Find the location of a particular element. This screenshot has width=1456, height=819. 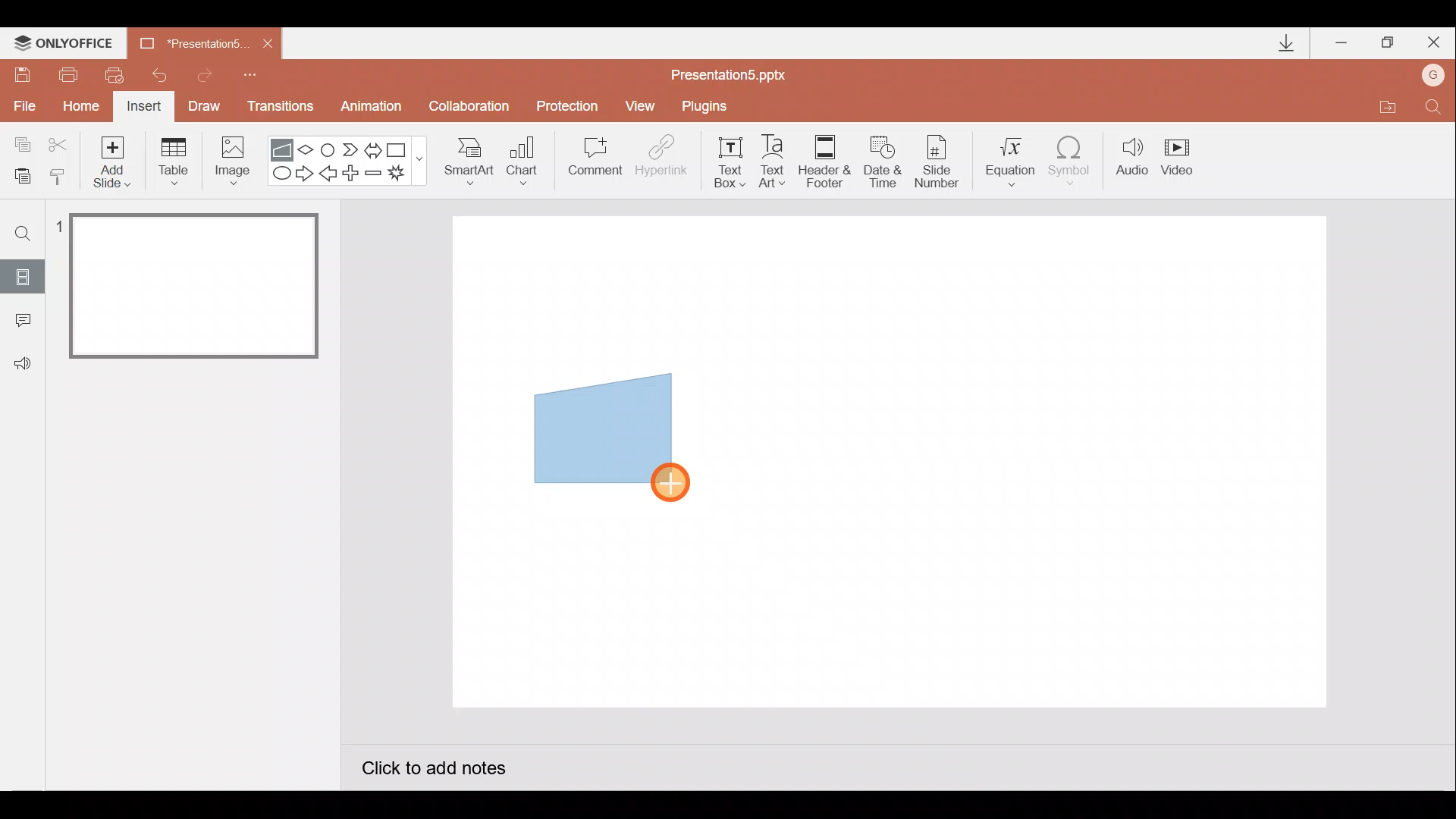

Flowchart-connector is located at coordinates (329, 149).